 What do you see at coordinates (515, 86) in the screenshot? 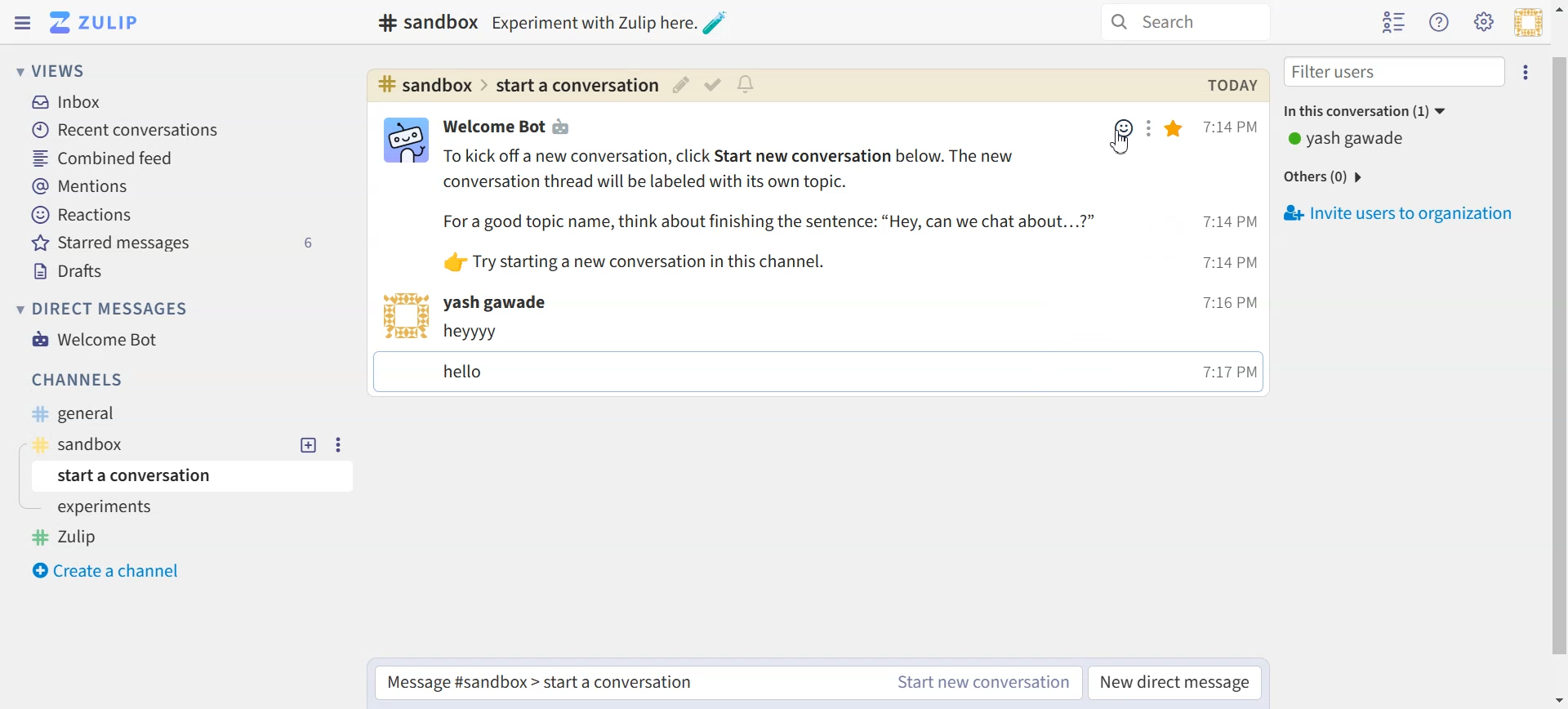
I see `Hyperlink` at bounding box center [515, 86].